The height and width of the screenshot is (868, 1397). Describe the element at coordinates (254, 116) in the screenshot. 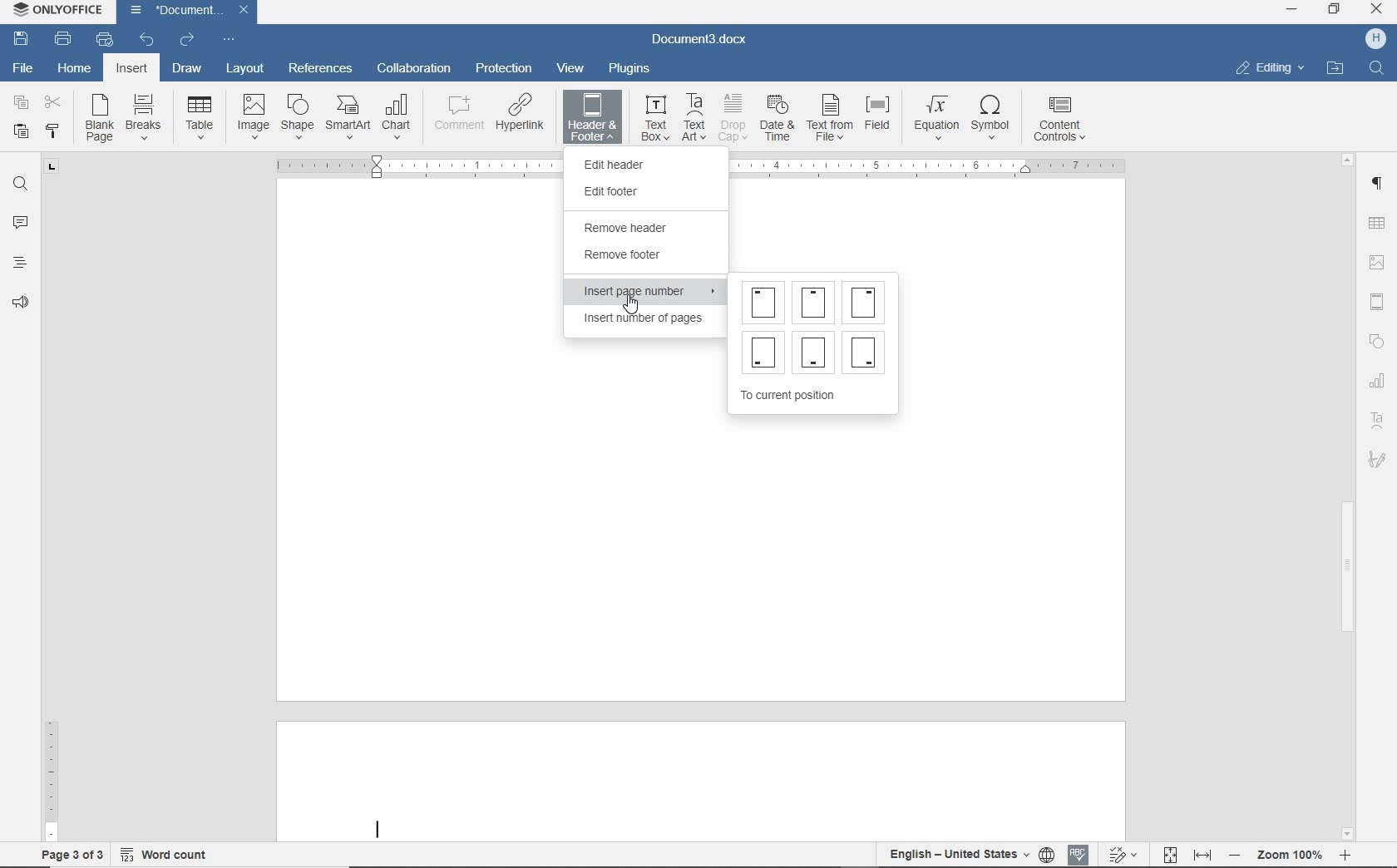

I see `IMAGE` at that location.